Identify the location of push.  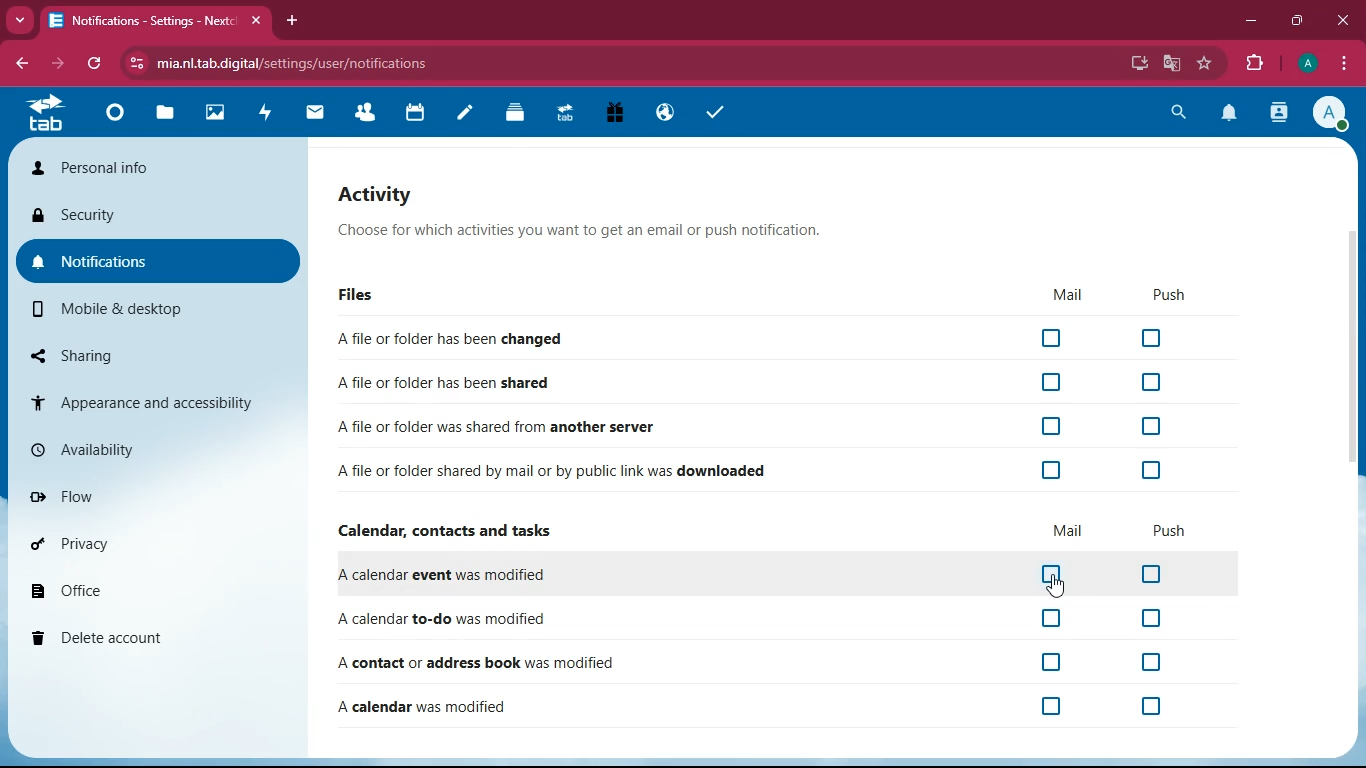
(1172, 295).